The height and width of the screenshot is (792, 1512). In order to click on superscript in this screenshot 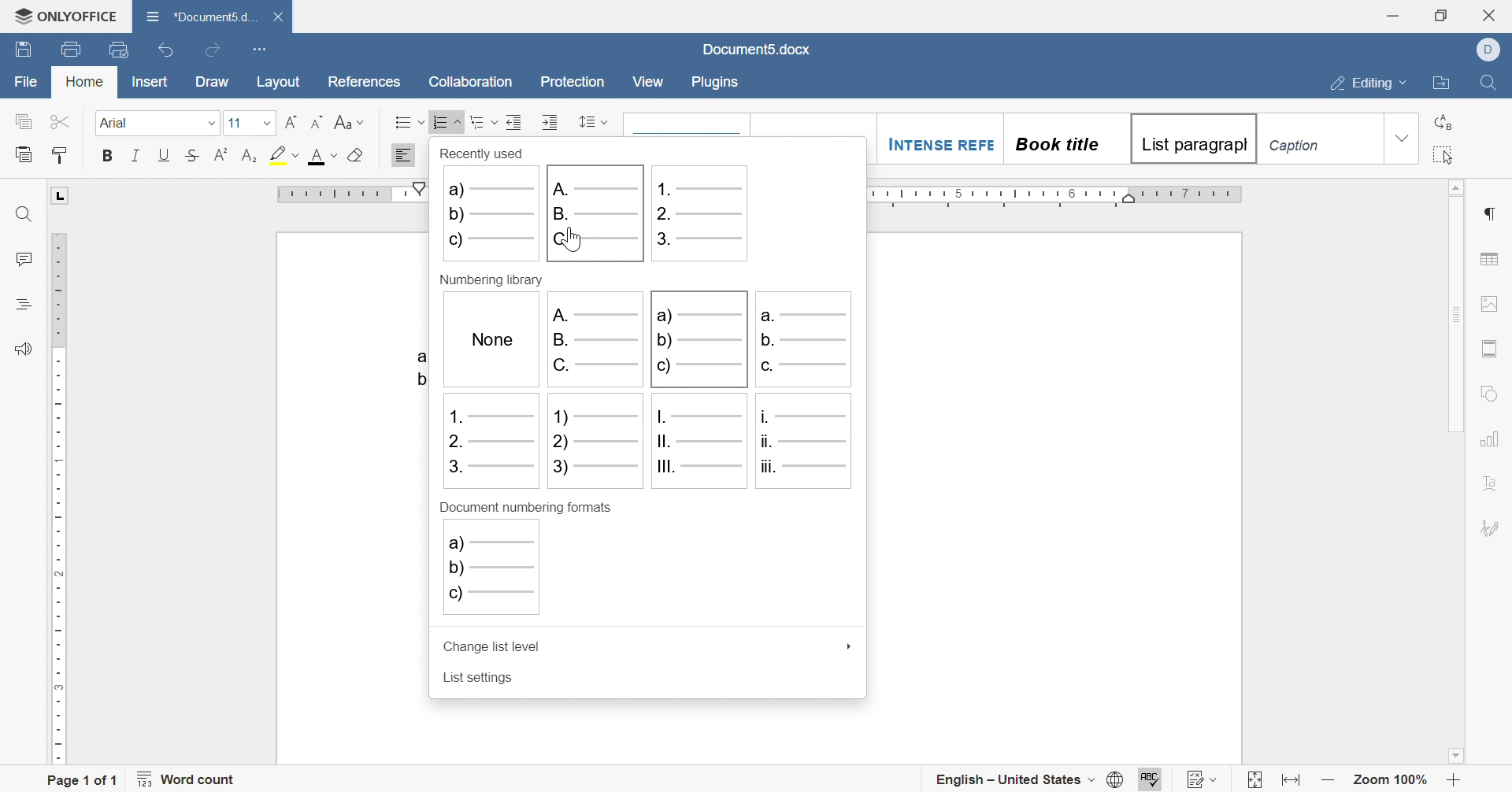, I will do `click(222, 152)`.